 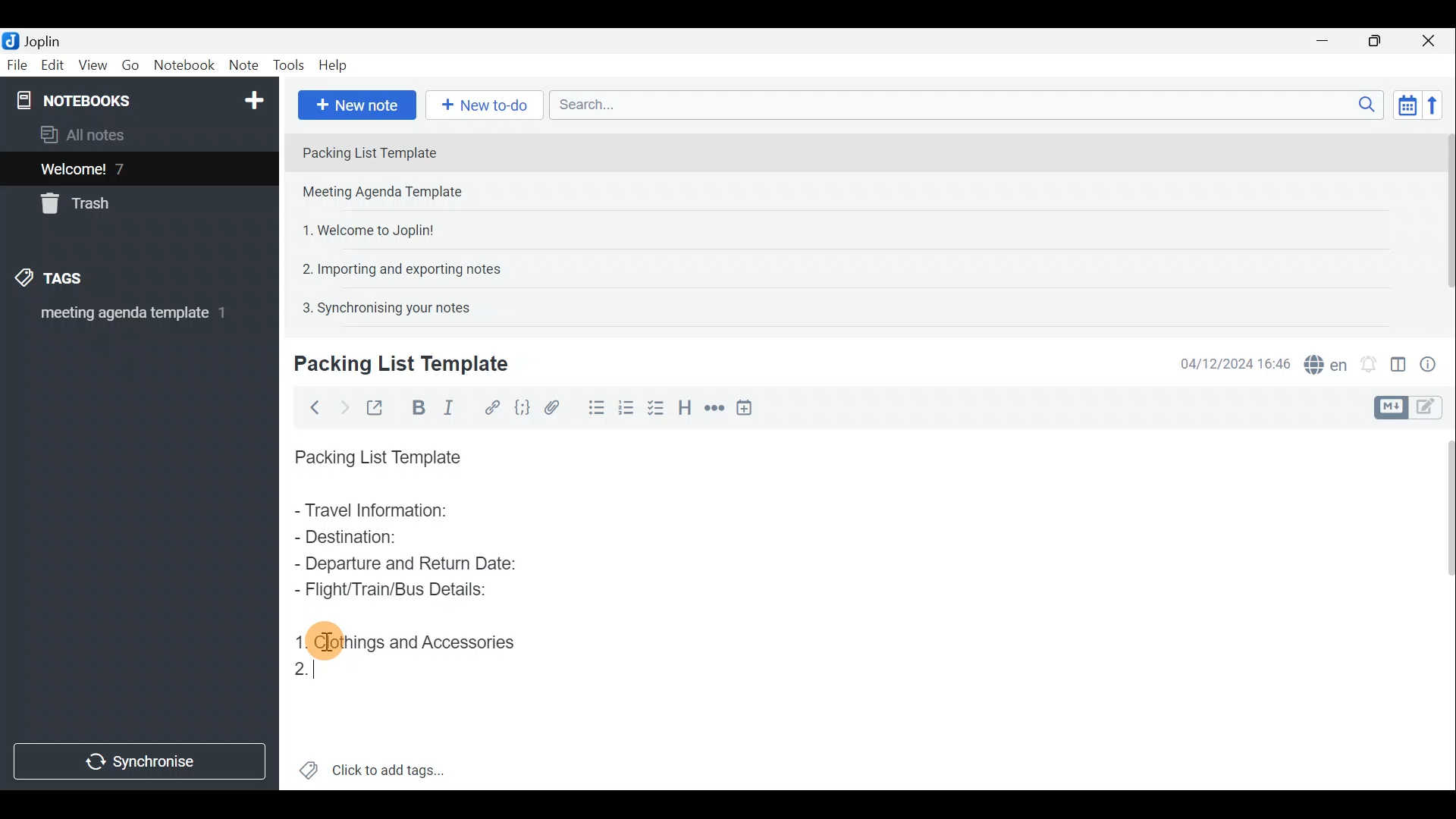 I want to click on New note, so click(x=356, y=103).